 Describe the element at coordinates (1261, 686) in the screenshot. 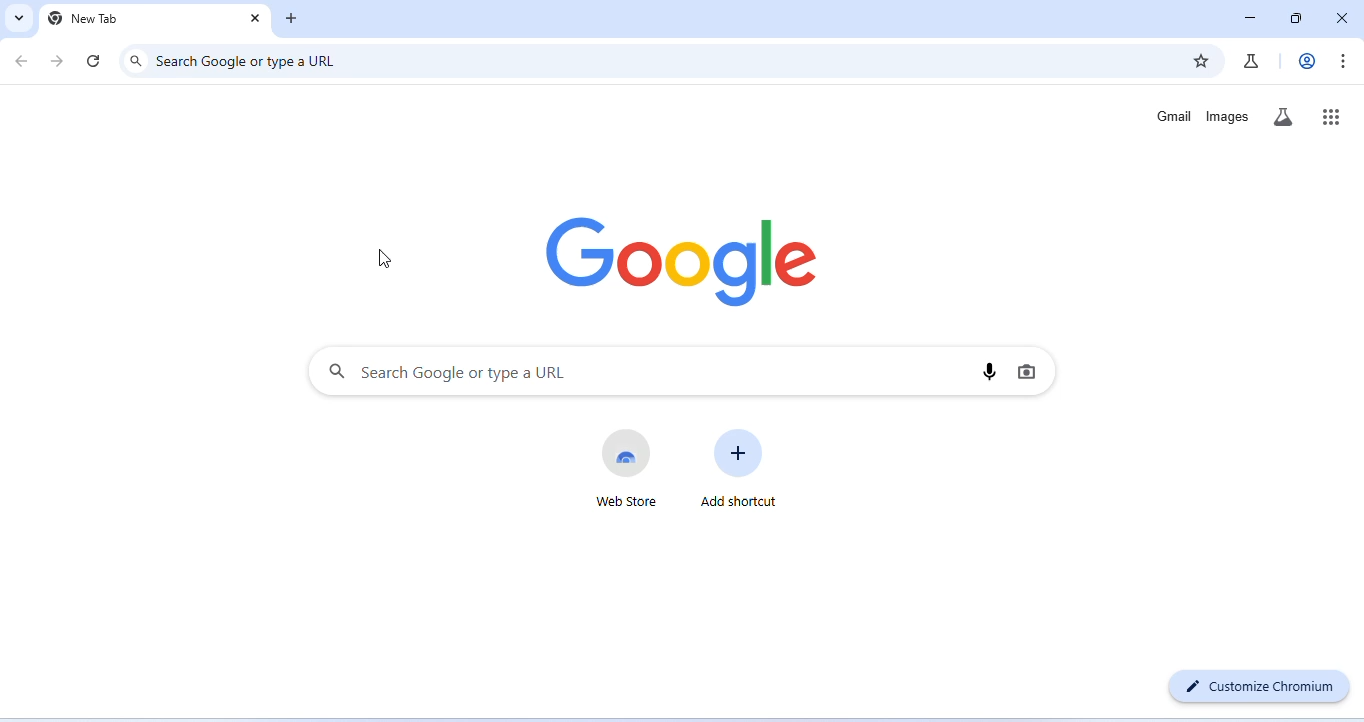

I see `customize chromium` at that location.